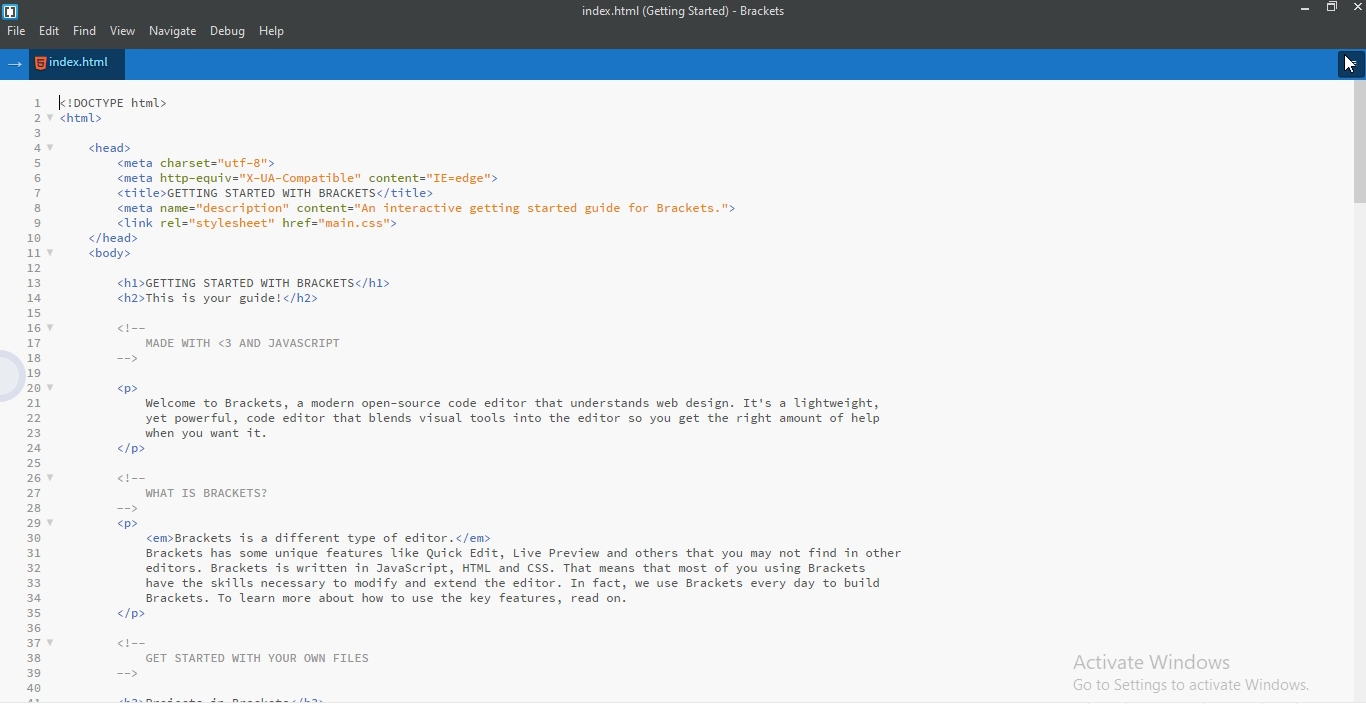 The height and width of the screenshot is (704, 1366). I want to click on file, so click(15, 31).